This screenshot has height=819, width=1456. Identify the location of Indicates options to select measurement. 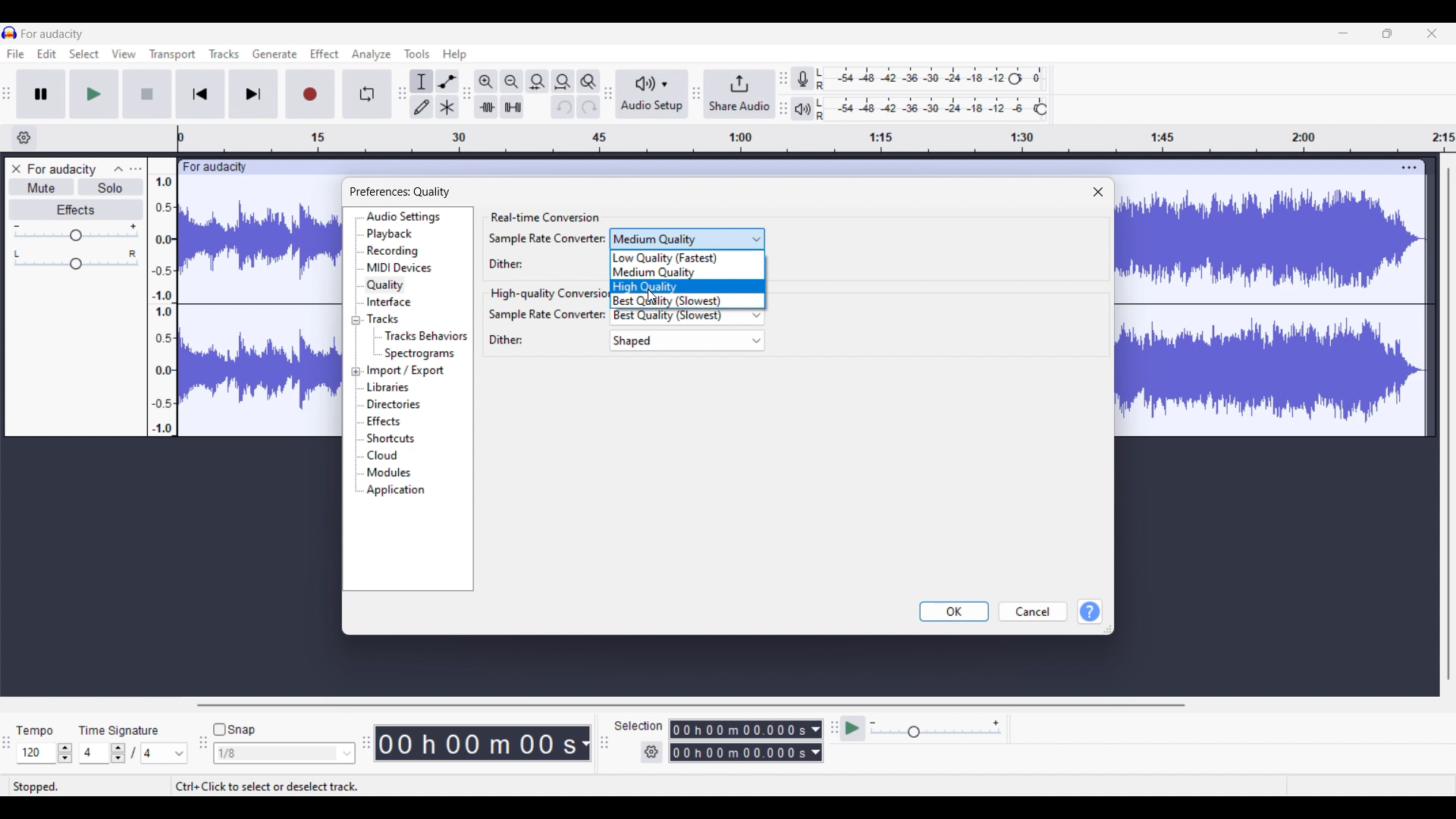
(639, 726).